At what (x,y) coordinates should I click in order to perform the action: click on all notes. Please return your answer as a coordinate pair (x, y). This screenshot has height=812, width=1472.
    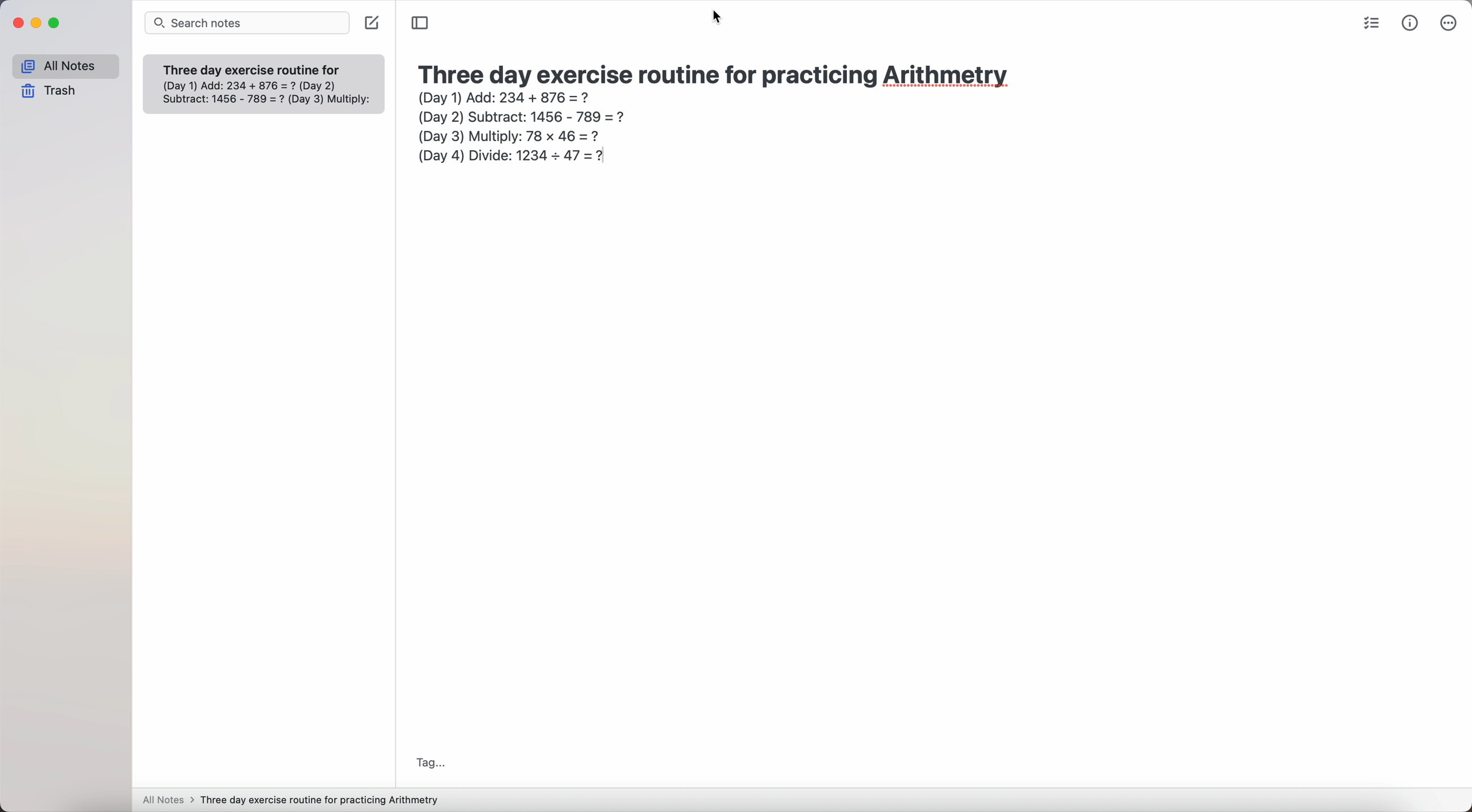
    Looking at the image, I should click on (67, 65).